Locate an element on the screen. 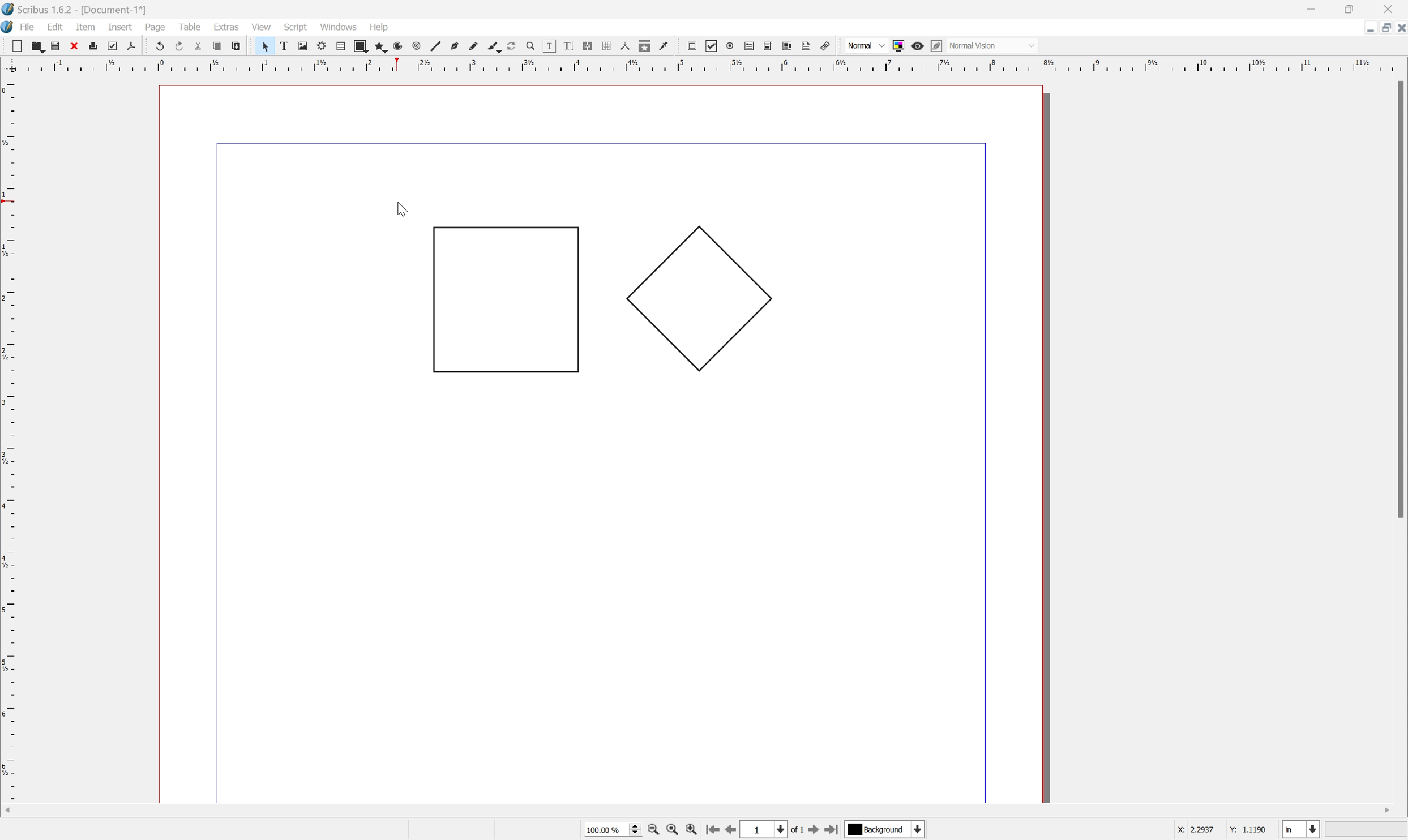  table is located at coordinates (339, 46).